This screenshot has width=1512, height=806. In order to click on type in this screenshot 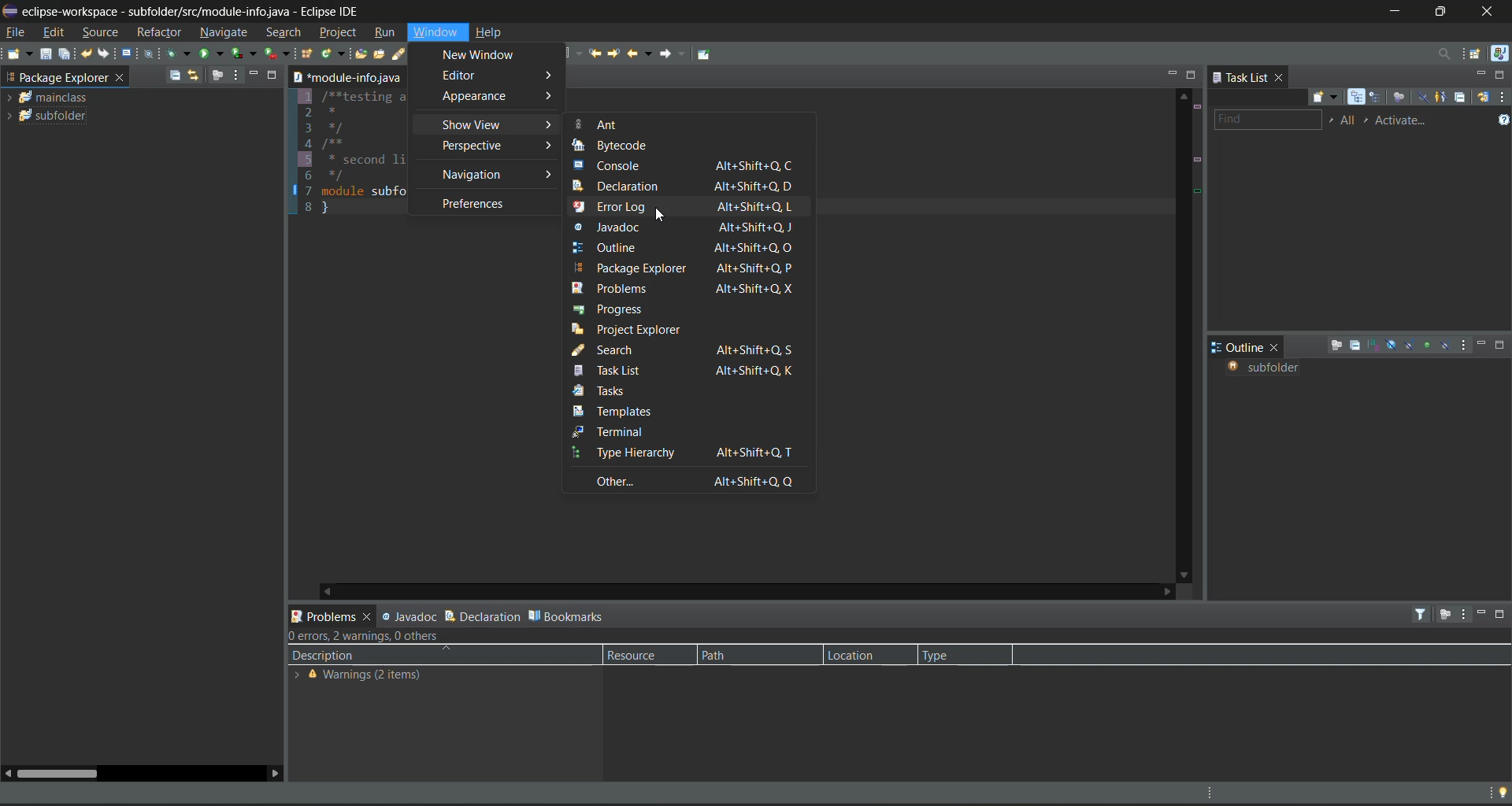, I will do `click(947, 656)`.